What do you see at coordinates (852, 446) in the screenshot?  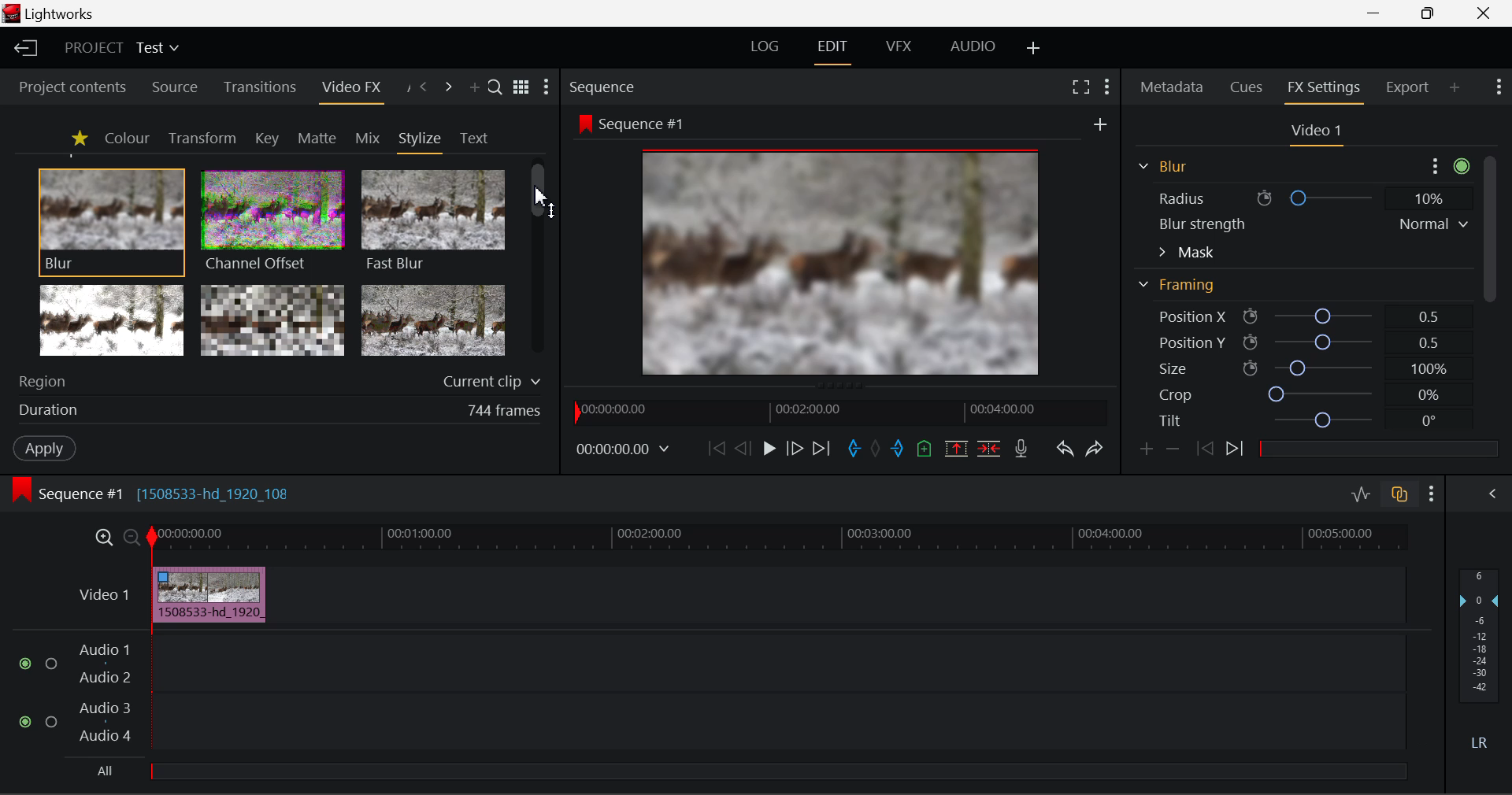 I see `Mark In` at bounding box center [852, 446].